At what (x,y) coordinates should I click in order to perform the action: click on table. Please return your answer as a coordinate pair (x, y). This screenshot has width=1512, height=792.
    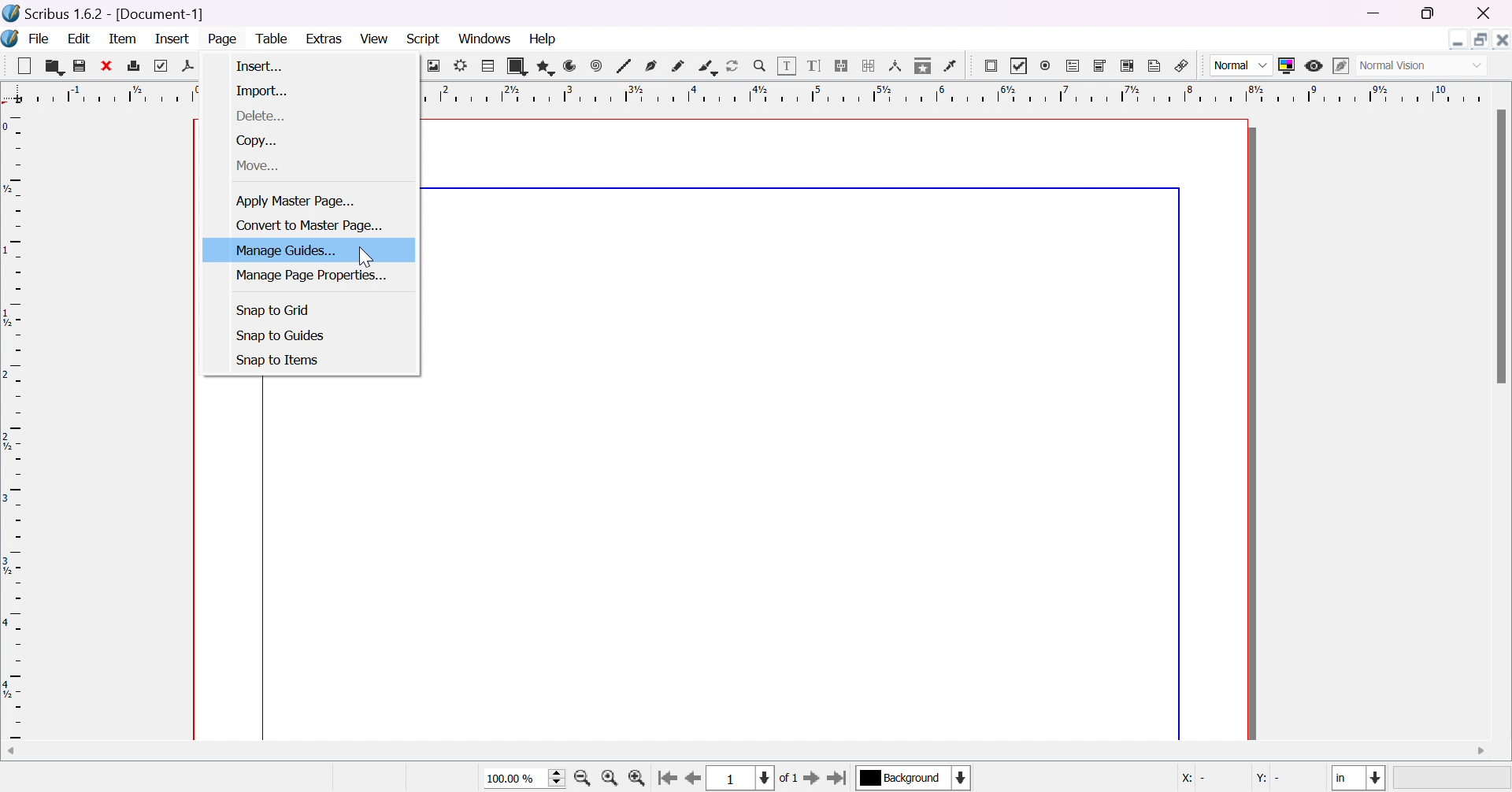
    Looking at the image, I should click on (275, 40).